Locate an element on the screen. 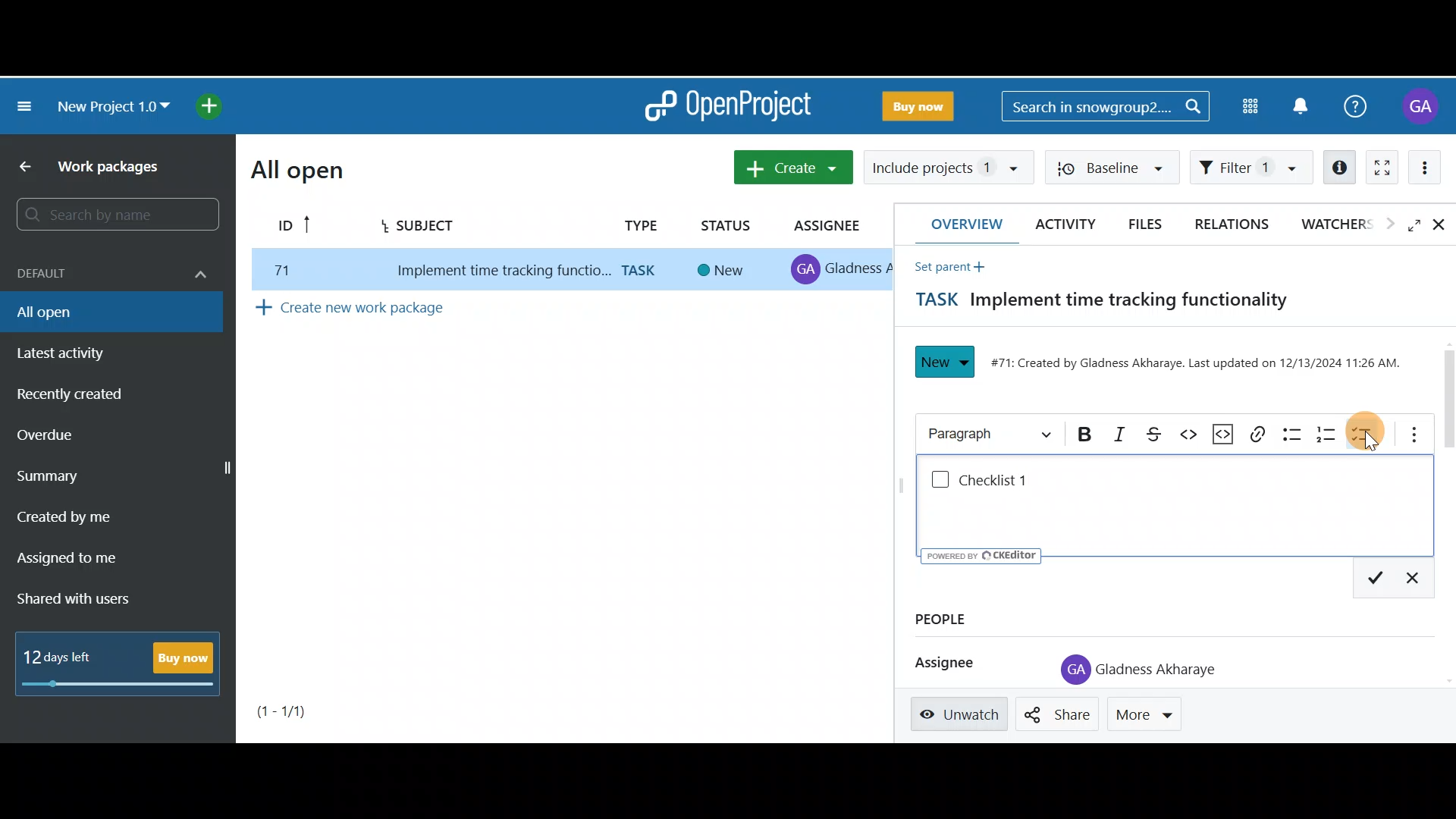  Create is located at coordinates (788, 165).